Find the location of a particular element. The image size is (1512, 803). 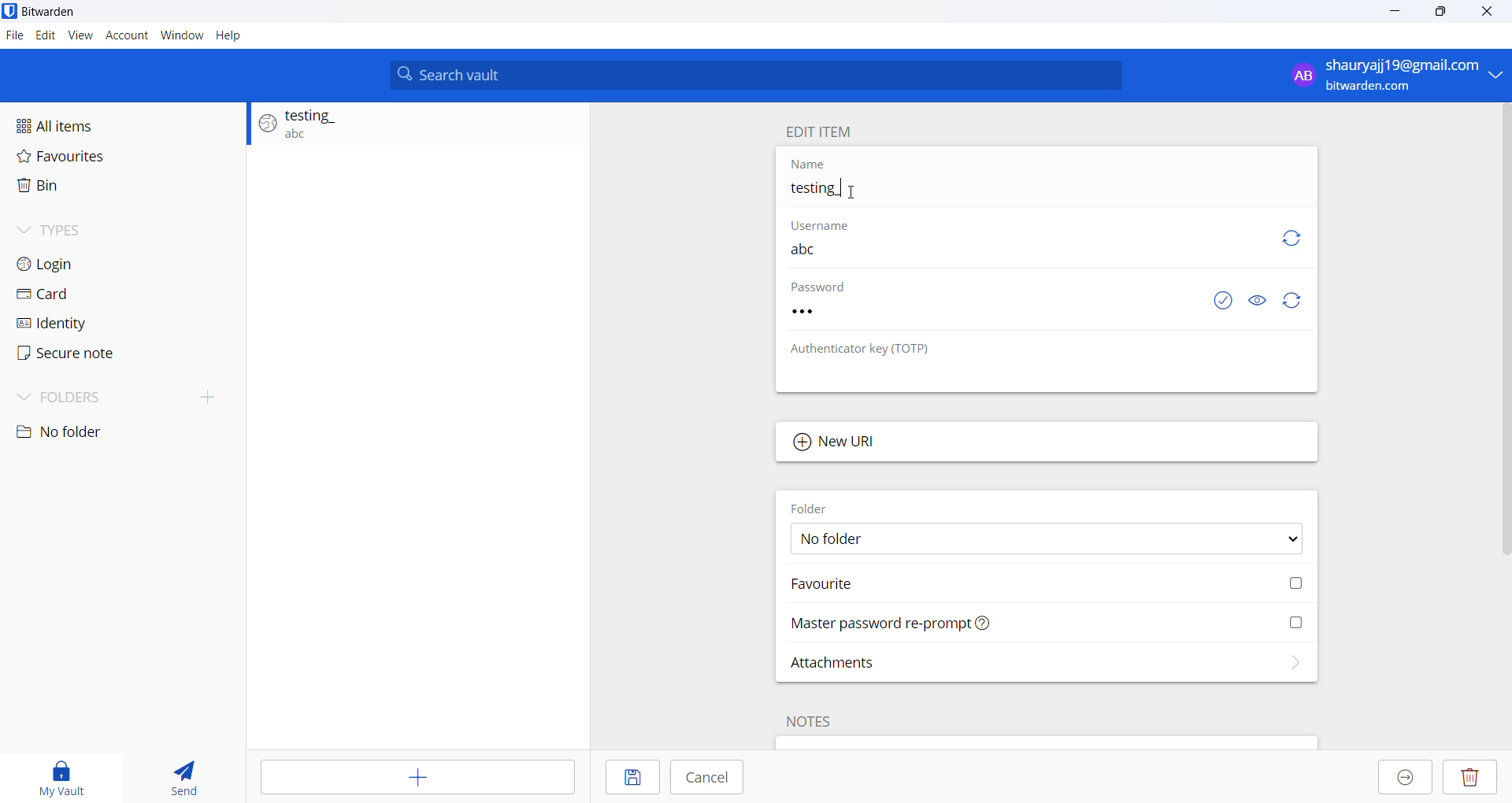

Visibility is located at coordinates (1258, 303).